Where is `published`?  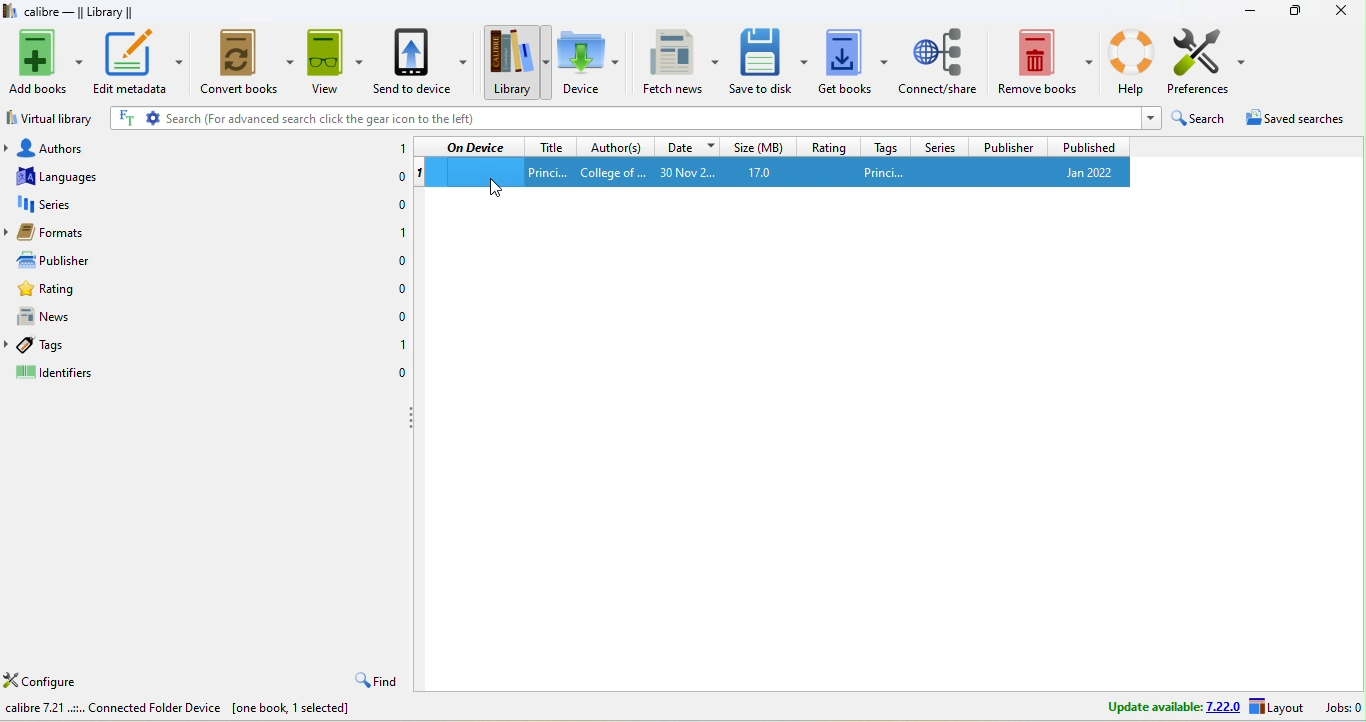 published is located at coordinates (1088, 146).